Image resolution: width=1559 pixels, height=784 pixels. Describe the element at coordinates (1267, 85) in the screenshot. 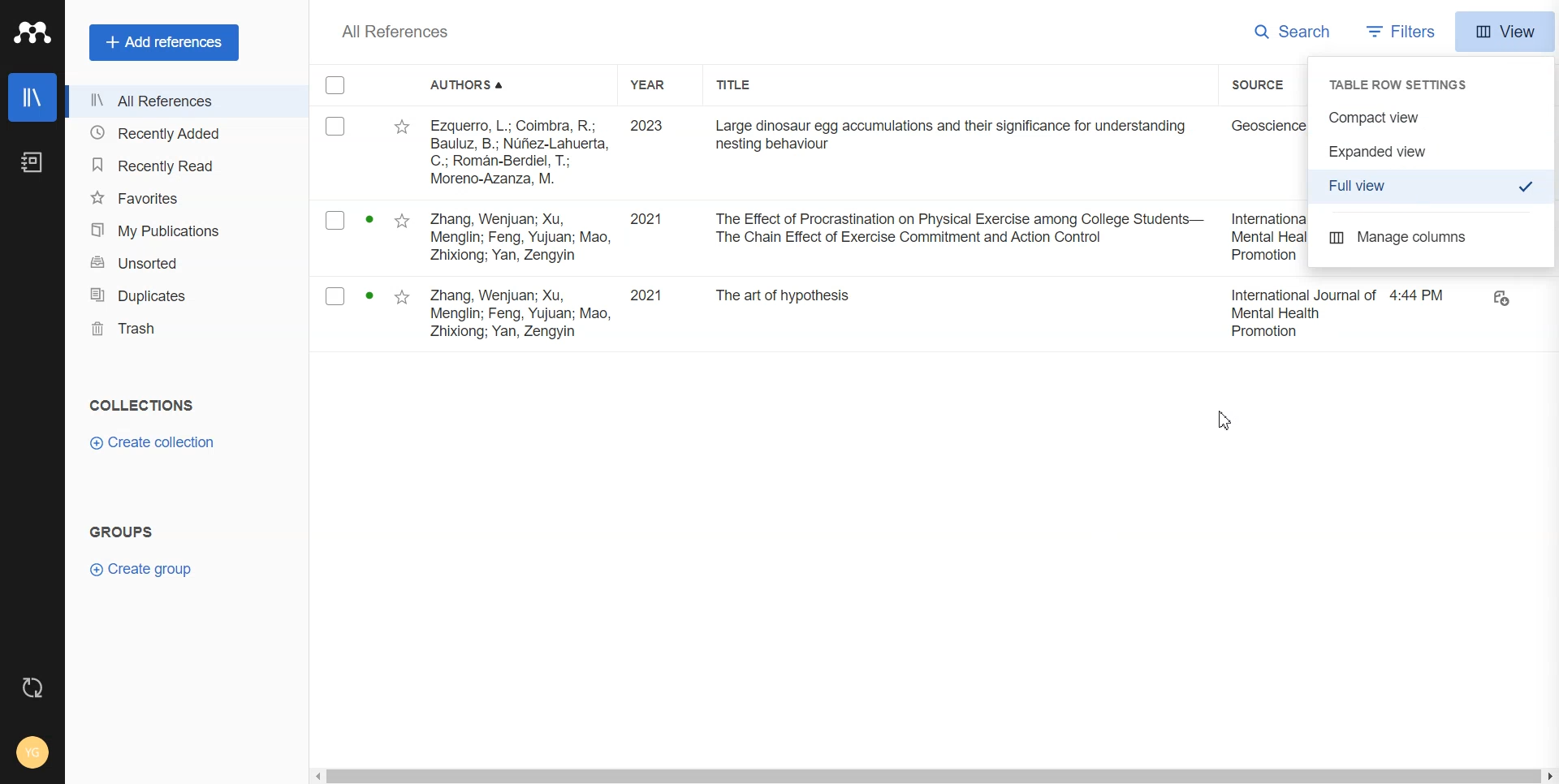

I see `Source` at that location.